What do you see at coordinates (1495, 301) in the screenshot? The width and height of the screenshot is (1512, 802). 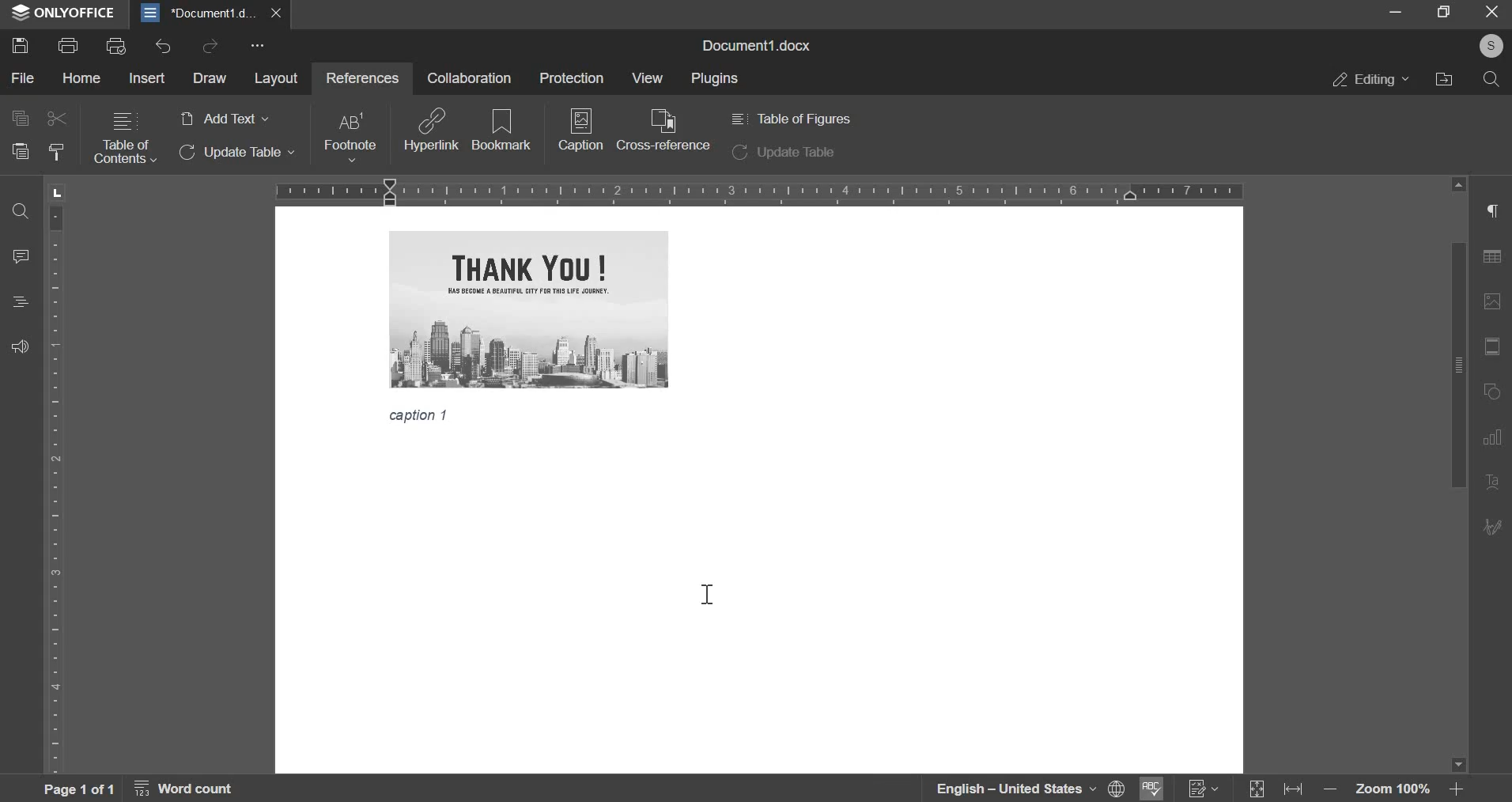 I see `image` at bounding box center [1495, 301].